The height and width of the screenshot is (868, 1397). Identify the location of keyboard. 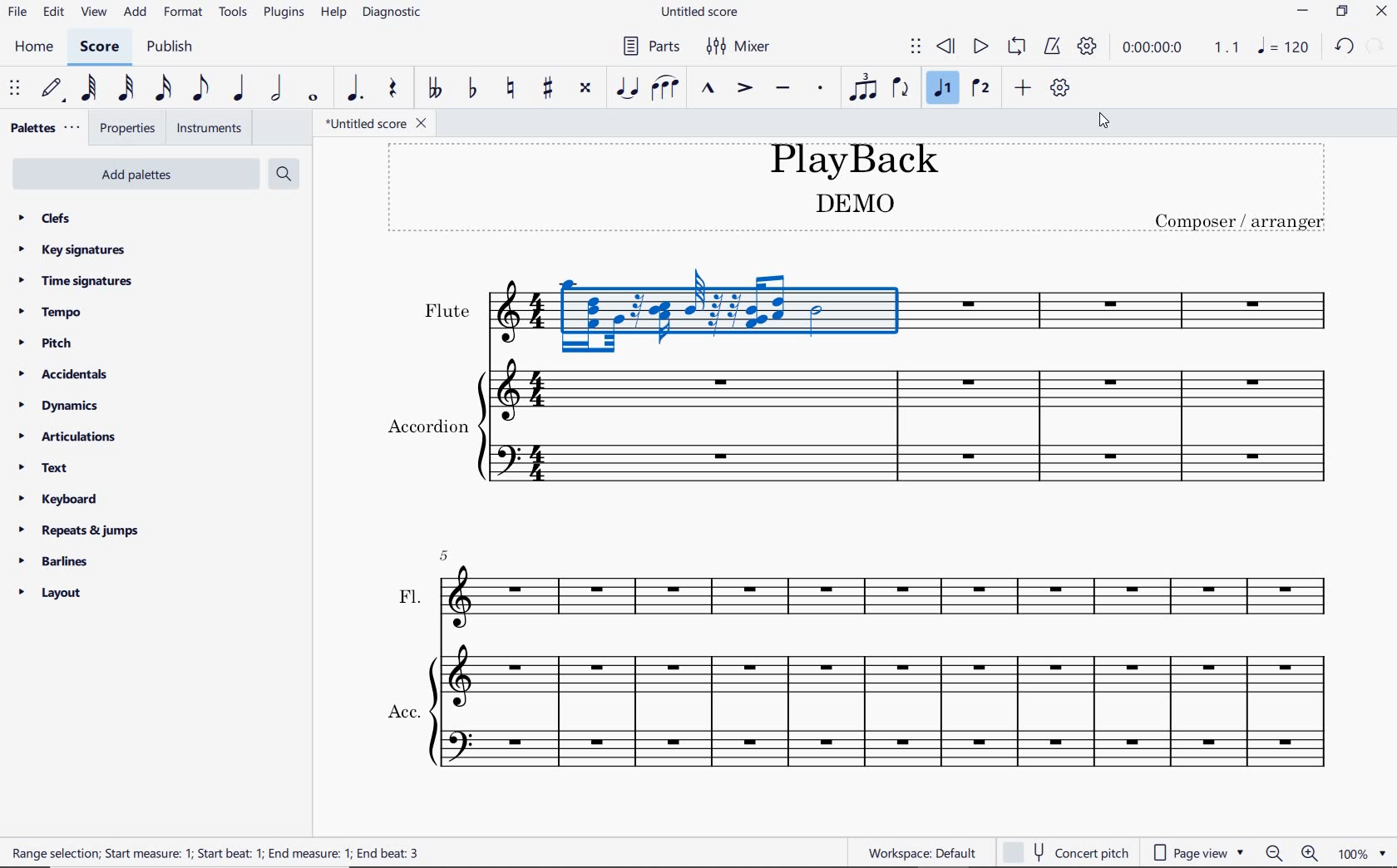
(59, 499).